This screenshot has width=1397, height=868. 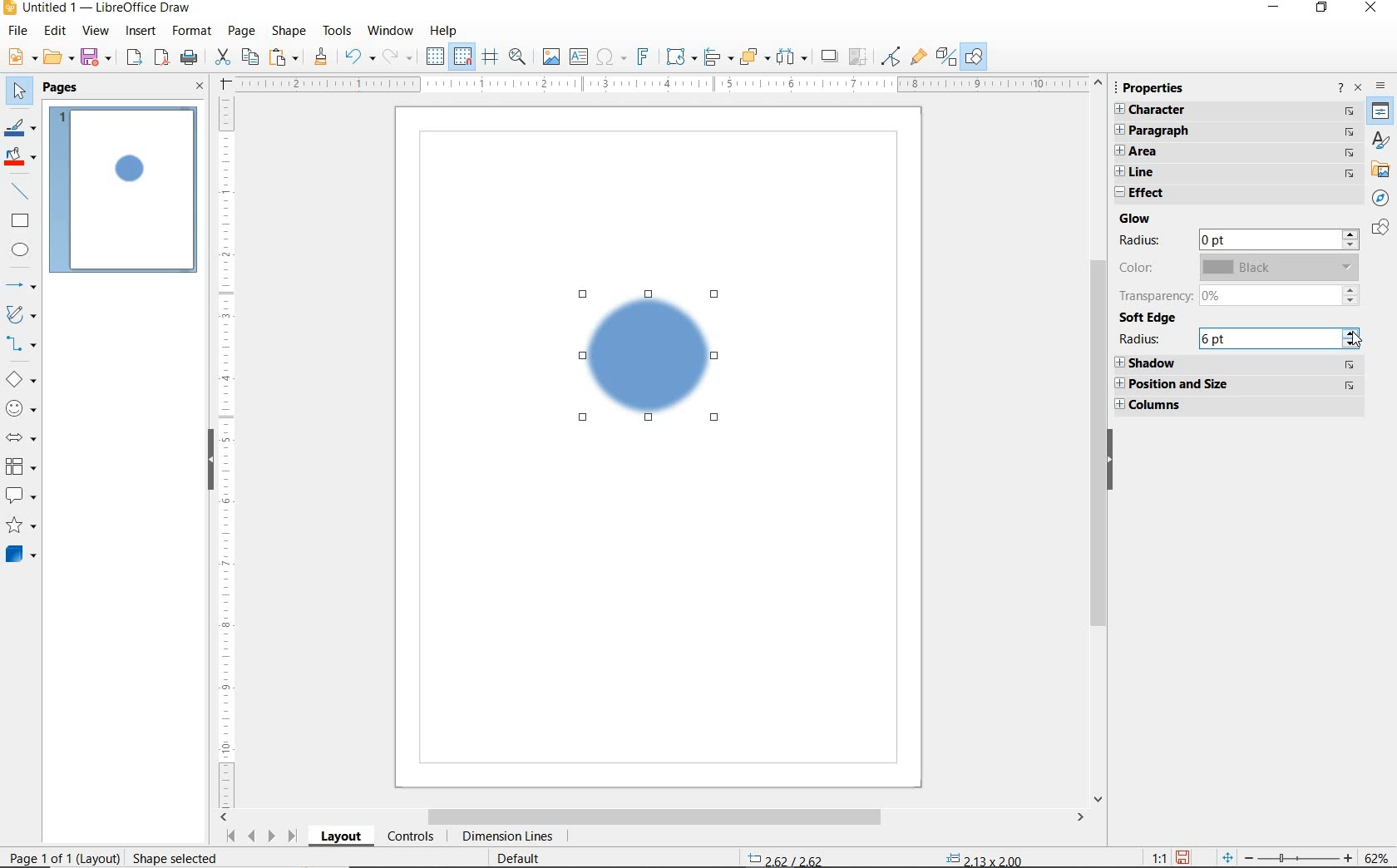 What do you see at coordinates (1381, 143) in the screenshot?
I see `styles` at bounding box center [1381, 143].